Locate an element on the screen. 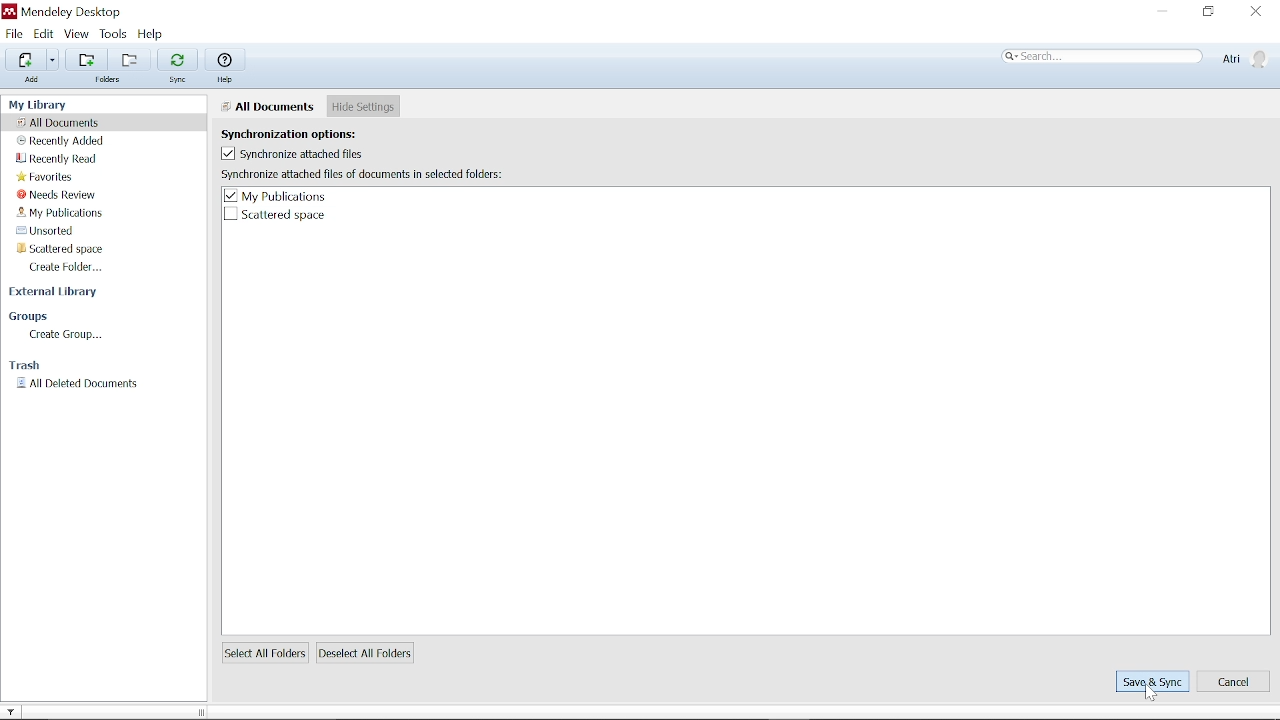 This screenshot has height=720, width=1280. Help is located at coordinates (227, 80).